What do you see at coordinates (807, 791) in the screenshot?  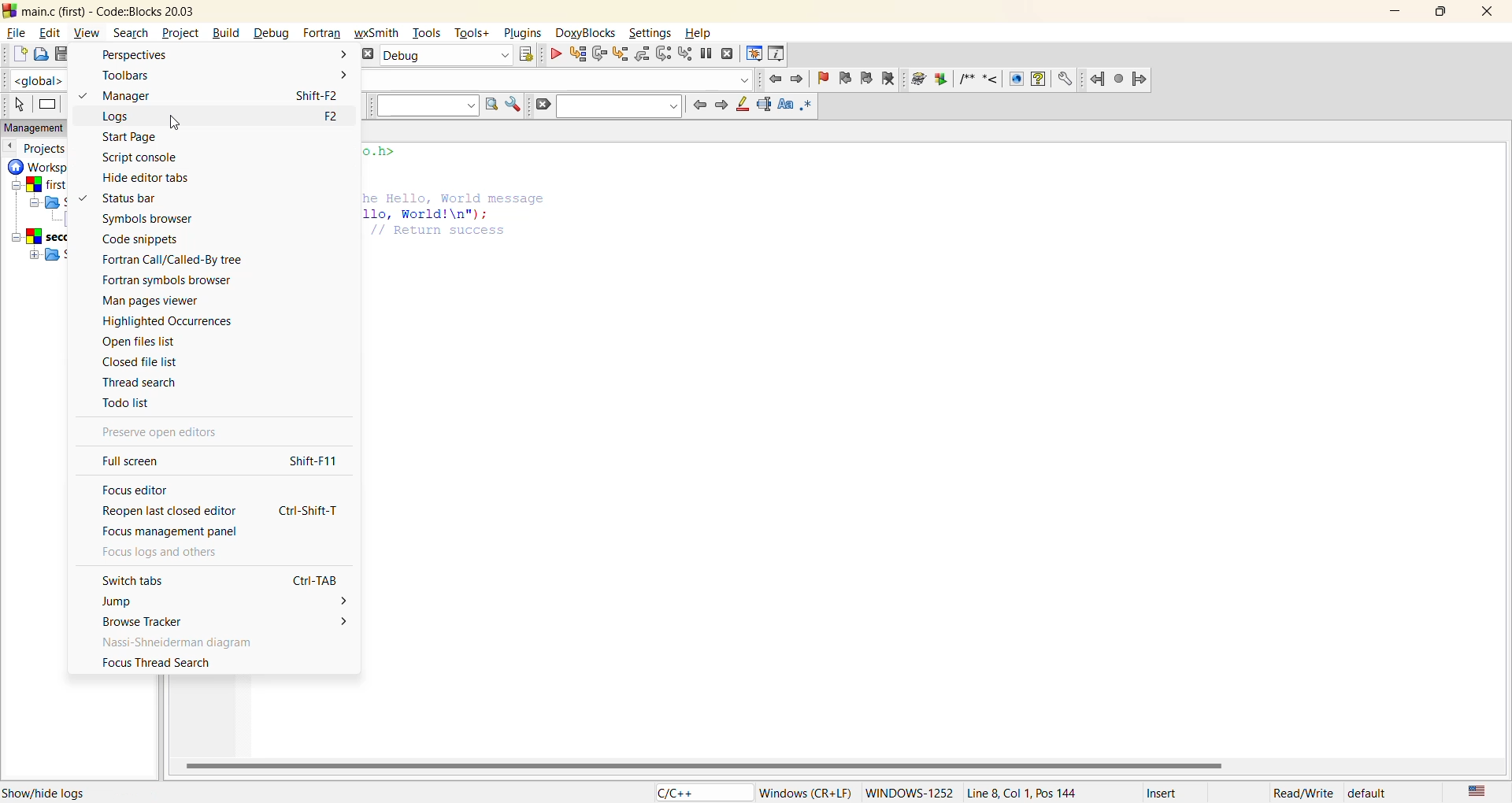 I see `Windows (CR+LF)` at bounding box center [807, 791].